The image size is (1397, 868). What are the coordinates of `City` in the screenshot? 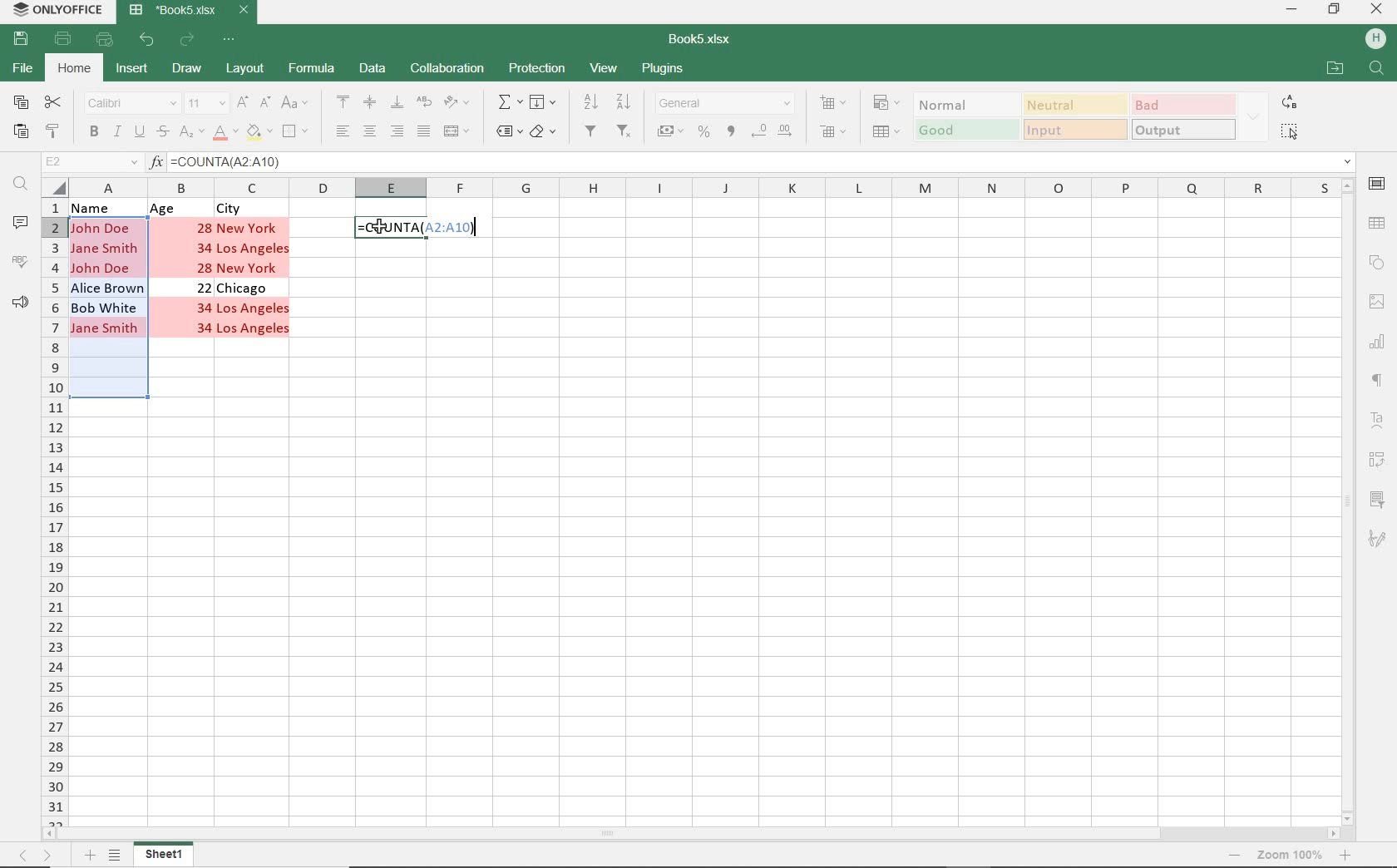 It's located at (233, 209).